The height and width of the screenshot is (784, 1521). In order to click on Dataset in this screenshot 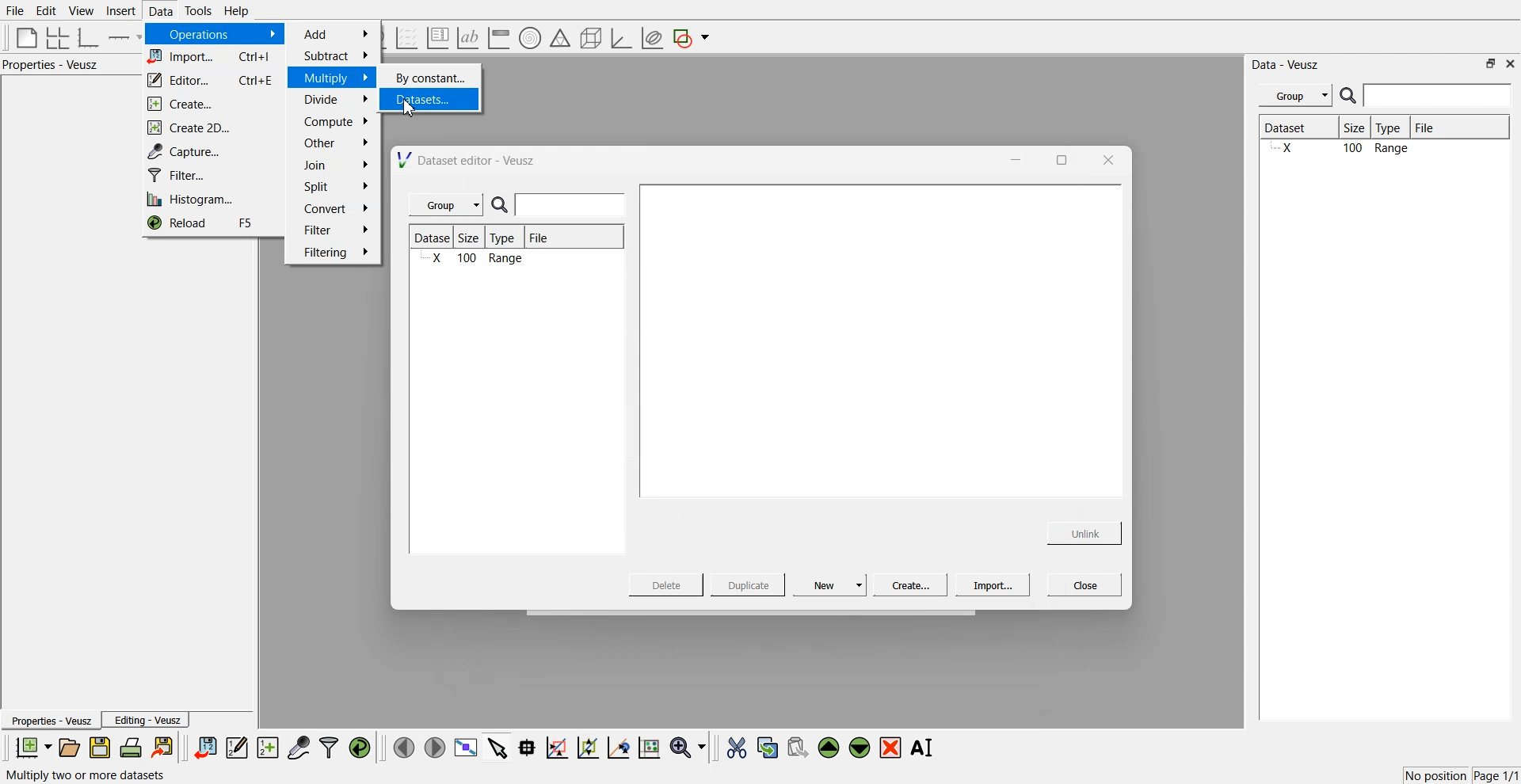, I will do `click(434, 238)`.